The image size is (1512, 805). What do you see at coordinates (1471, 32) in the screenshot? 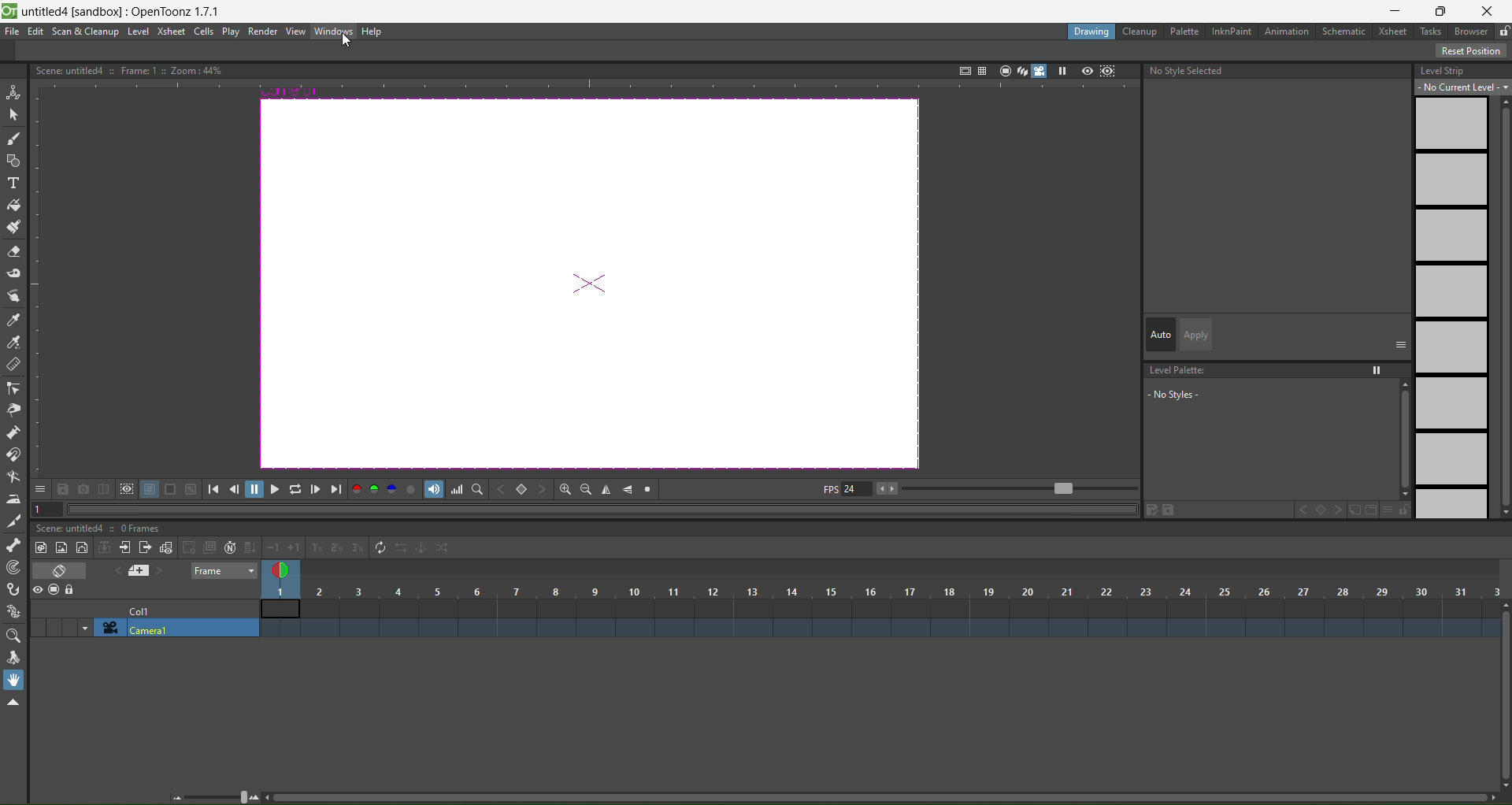
I see `browser` at bounding box center [1471, 32].